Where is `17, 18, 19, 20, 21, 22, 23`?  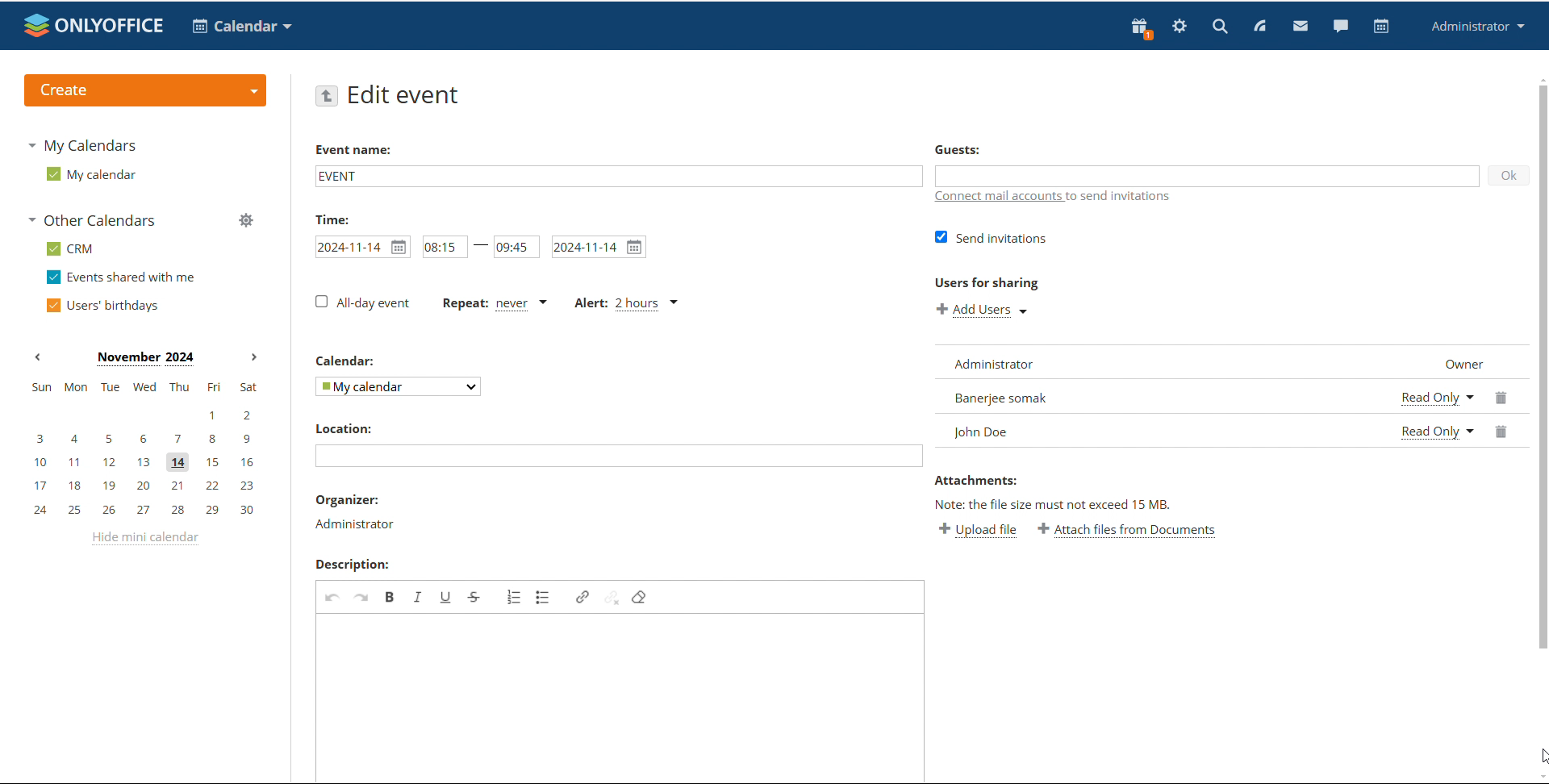
17, 18, 19, 20, 21, 22, 23 is located at coordinates (144, 486).